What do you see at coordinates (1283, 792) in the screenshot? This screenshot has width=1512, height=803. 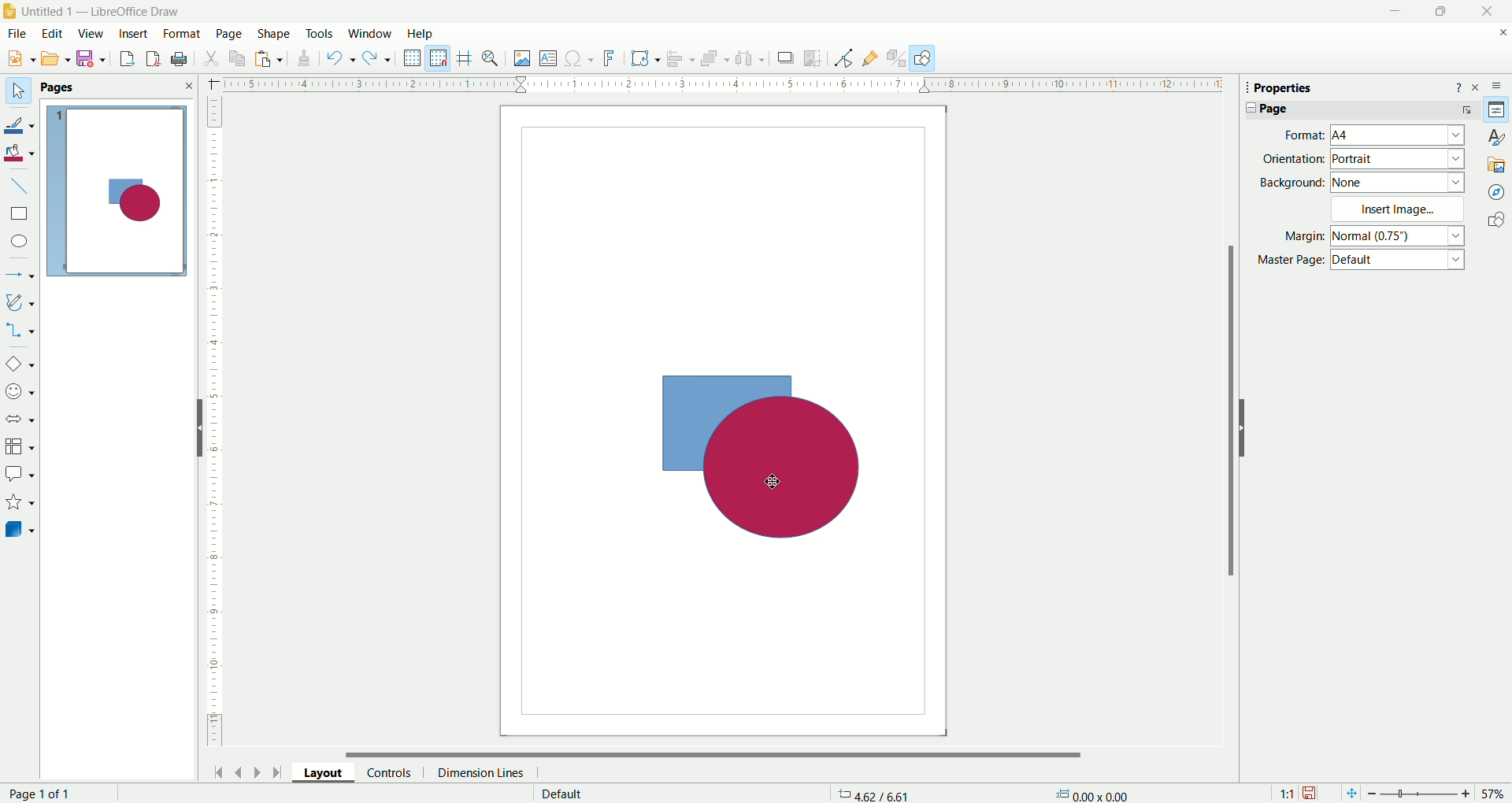 I see `scaling factor` at bounding box center [1283, 792].